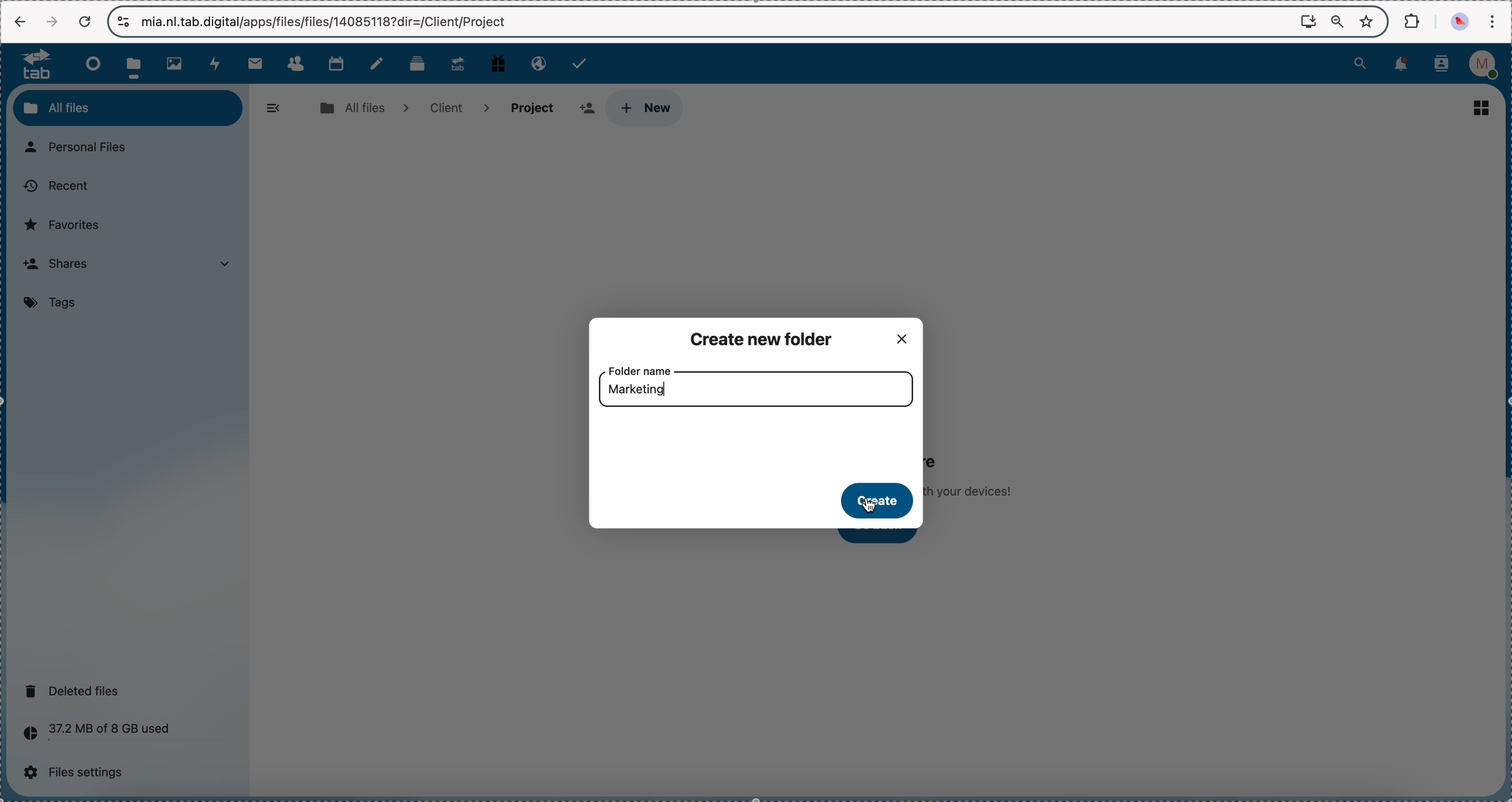  I want to click on contacts, so click(1442, 65).